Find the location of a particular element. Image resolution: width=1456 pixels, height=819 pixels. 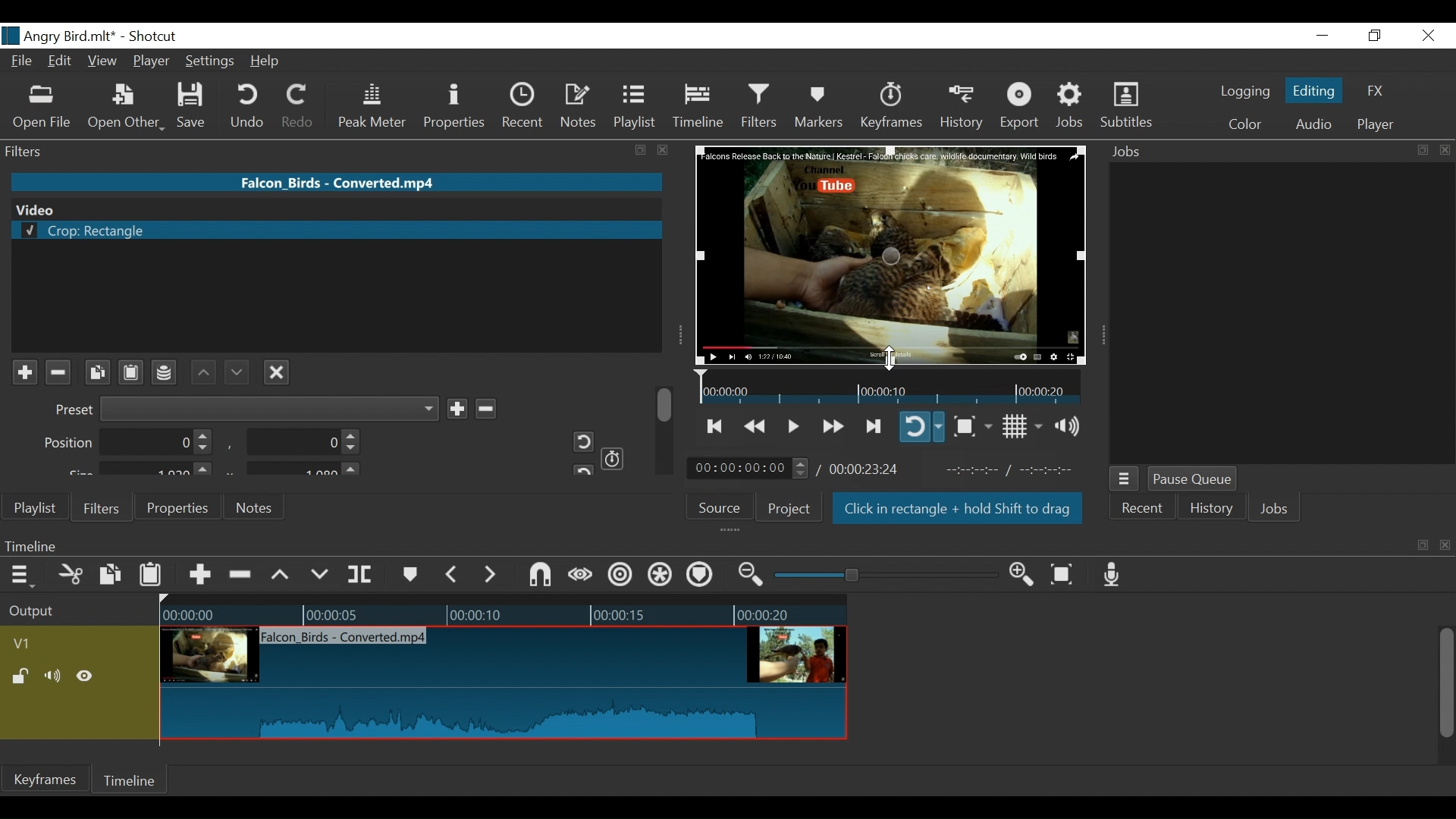

Show volume control is located at coordinates (1073, 426).